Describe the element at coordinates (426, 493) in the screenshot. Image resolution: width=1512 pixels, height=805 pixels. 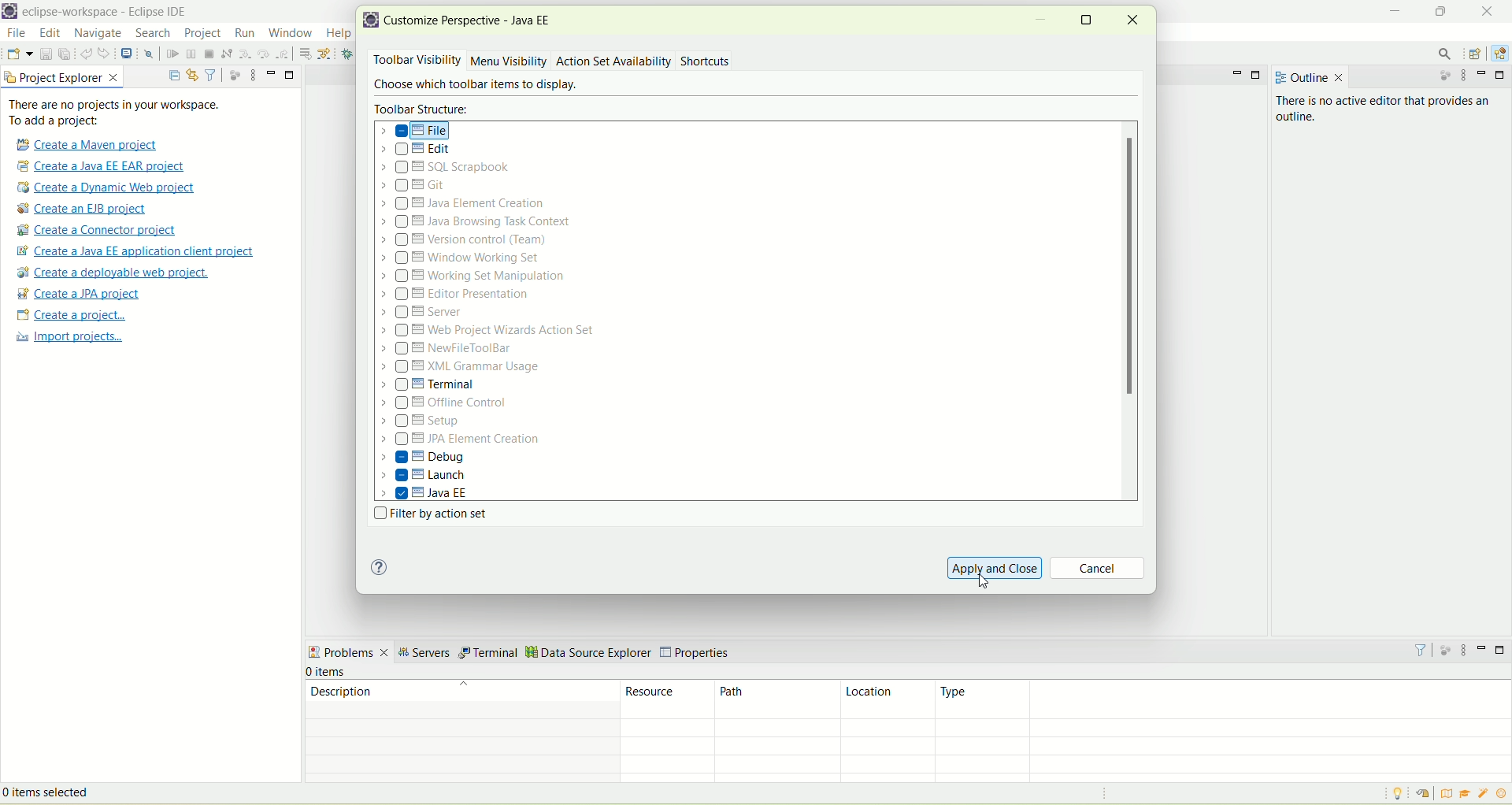
I see `Java EE` at that location.